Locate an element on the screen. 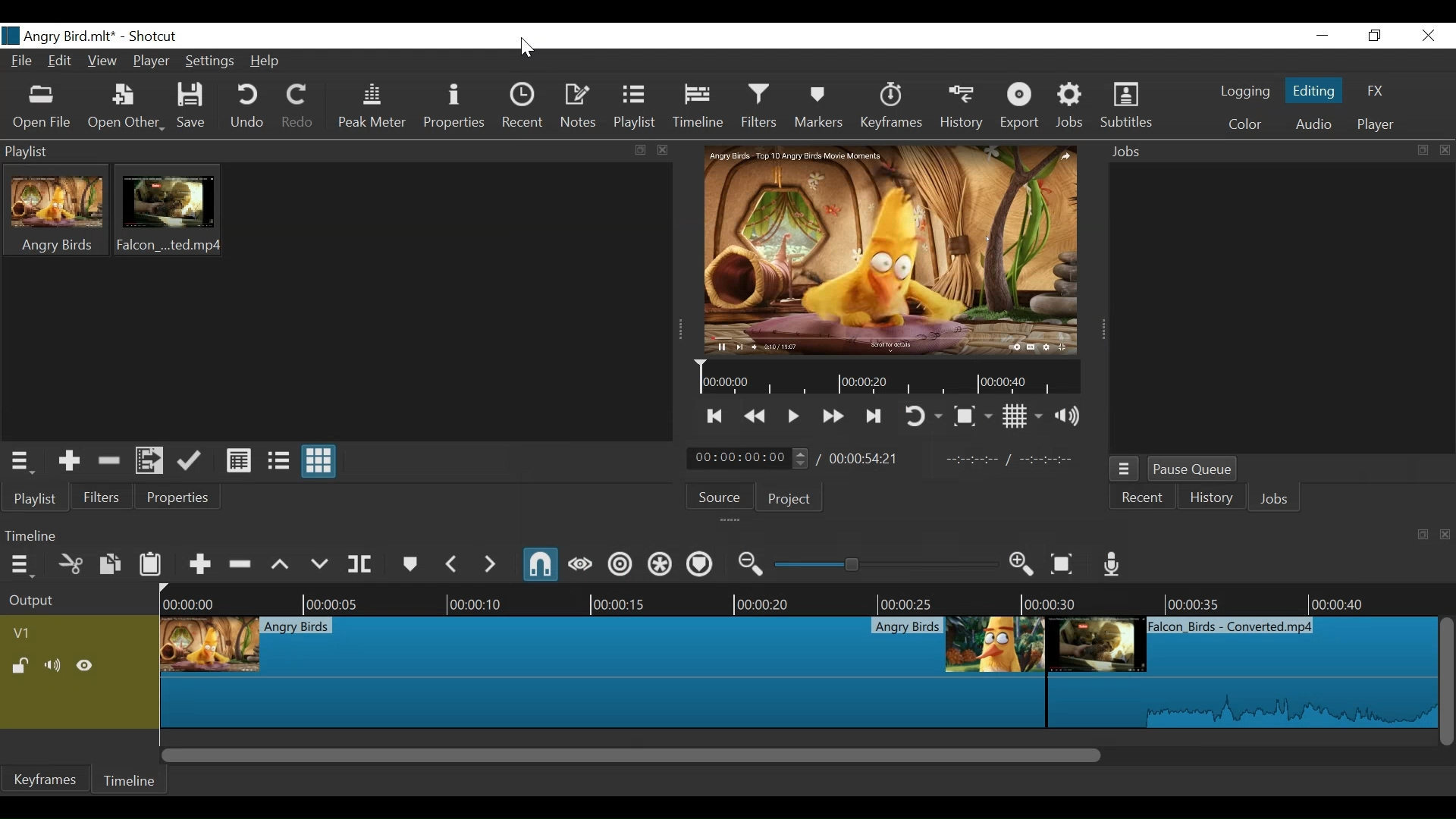  Hide is located at coordinates (84, 667).